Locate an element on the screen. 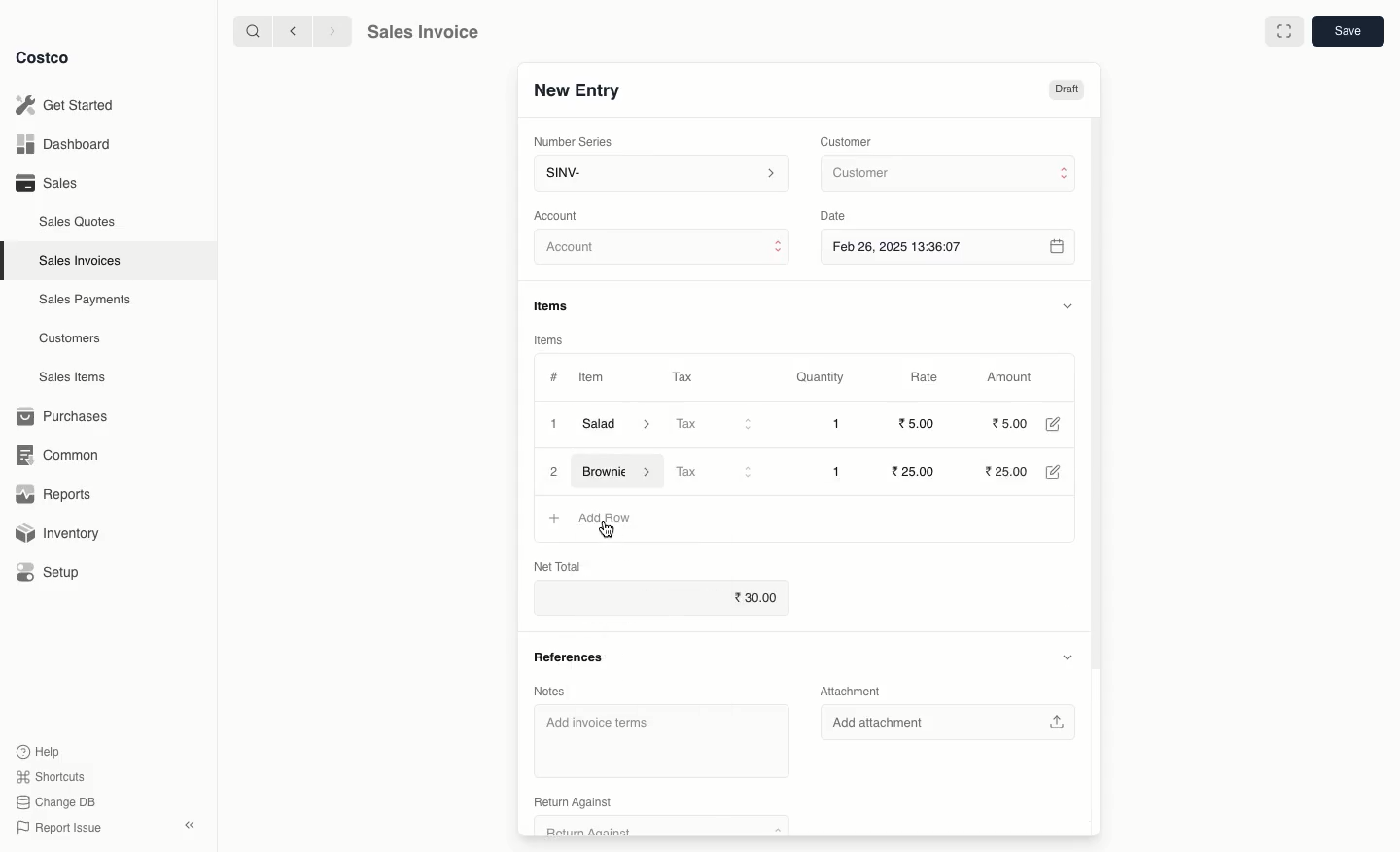  Report Issue is located at coordinates (55, 828).